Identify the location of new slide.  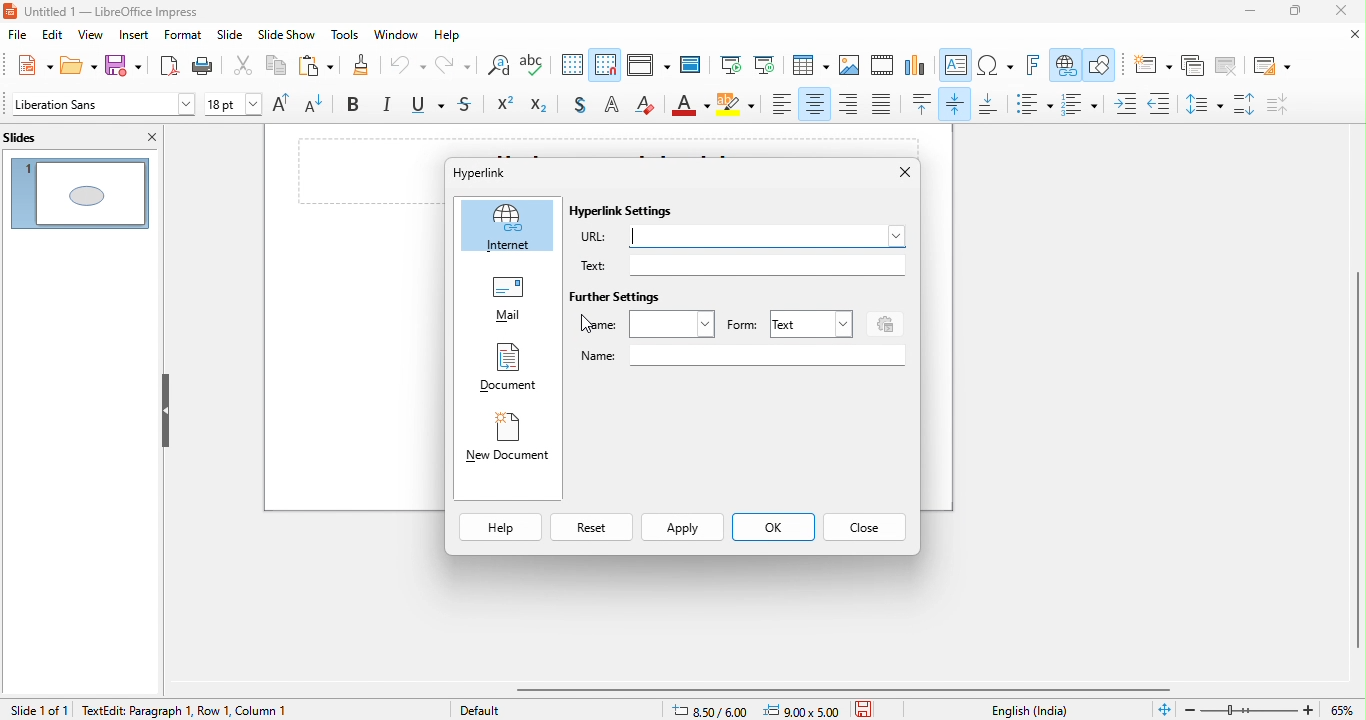
(1150, 65).